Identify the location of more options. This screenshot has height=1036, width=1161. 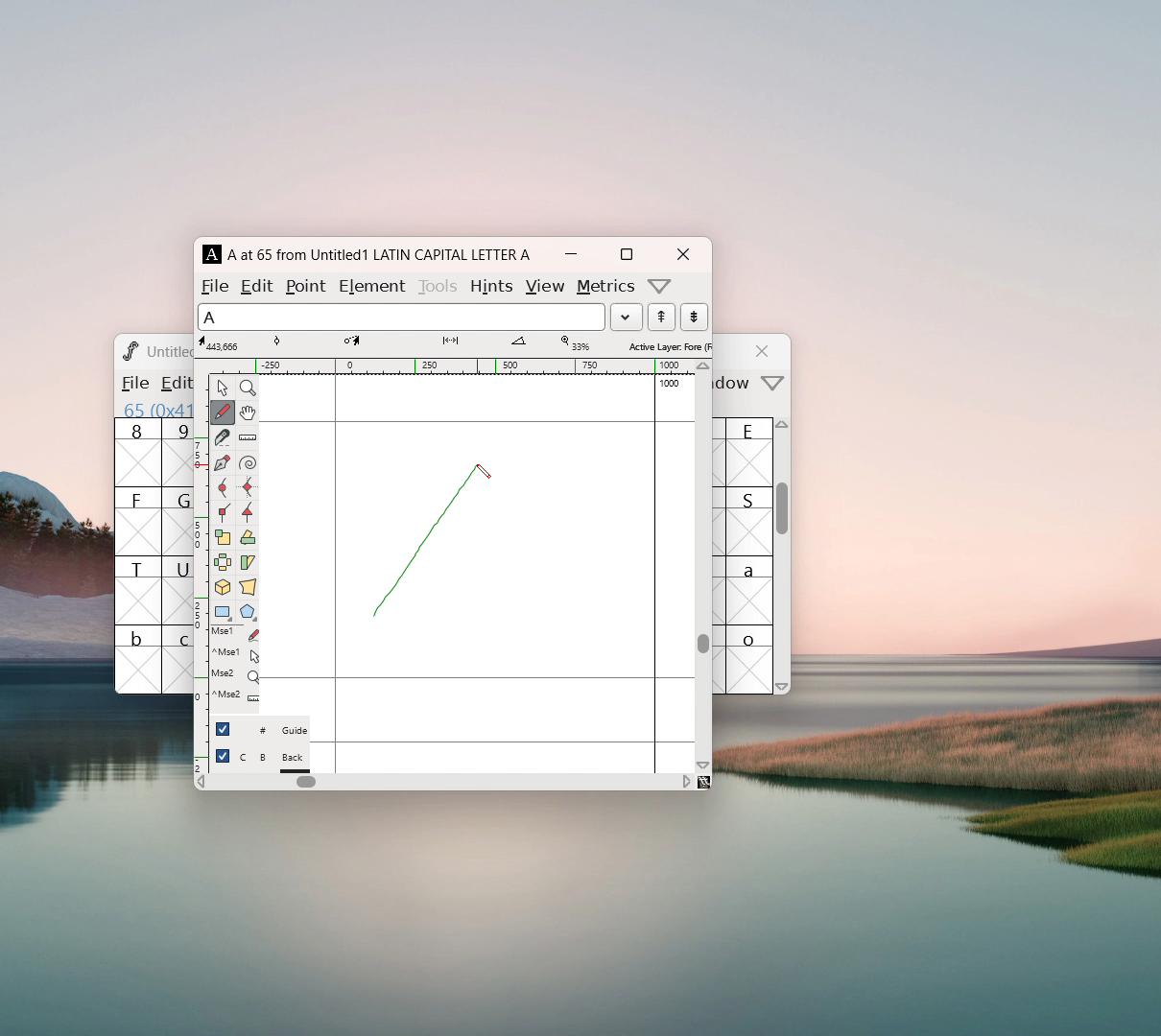
(773, 385).